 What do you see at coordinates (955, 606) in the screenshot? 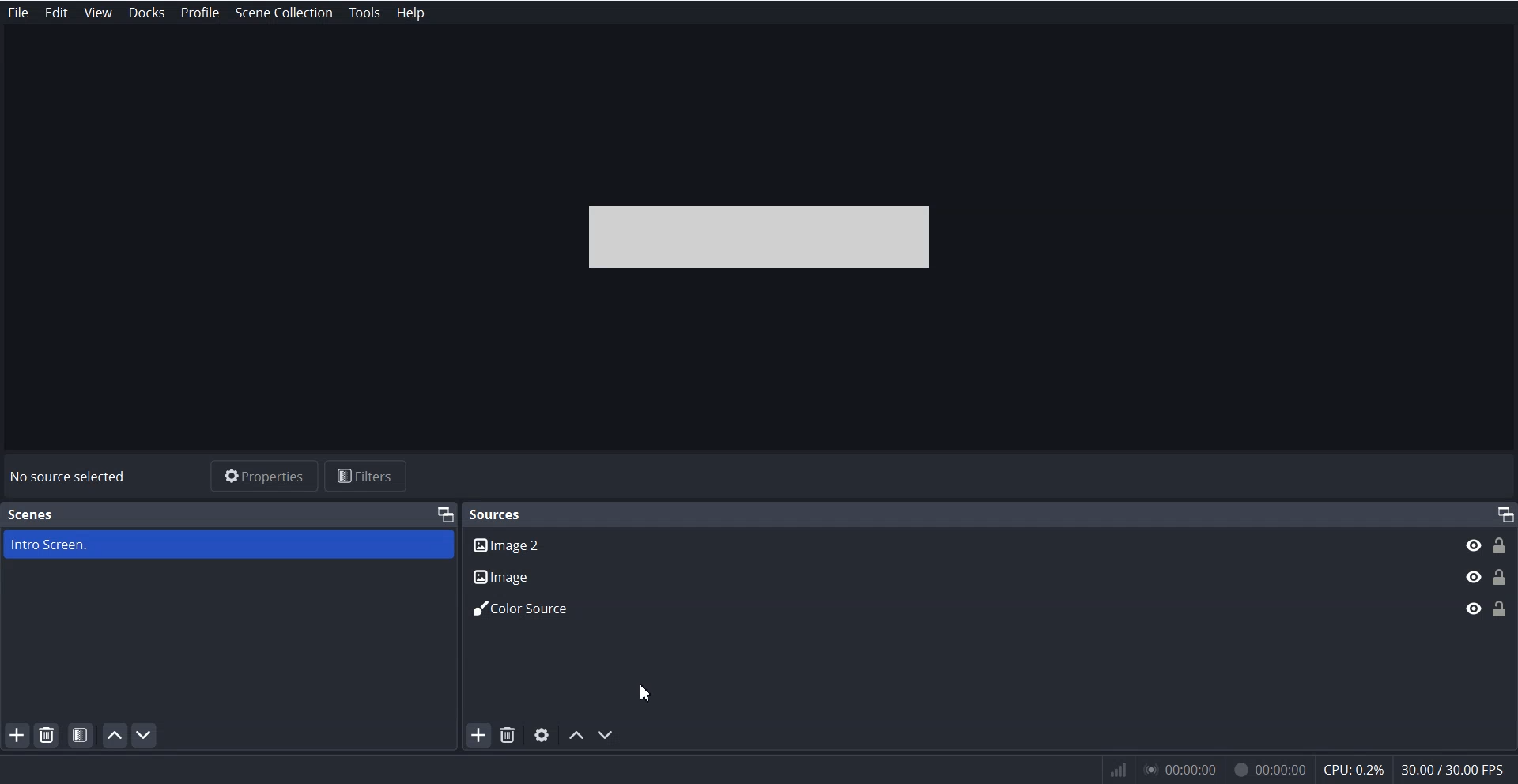
I see `Color Source` at bounding box center [955, 606].